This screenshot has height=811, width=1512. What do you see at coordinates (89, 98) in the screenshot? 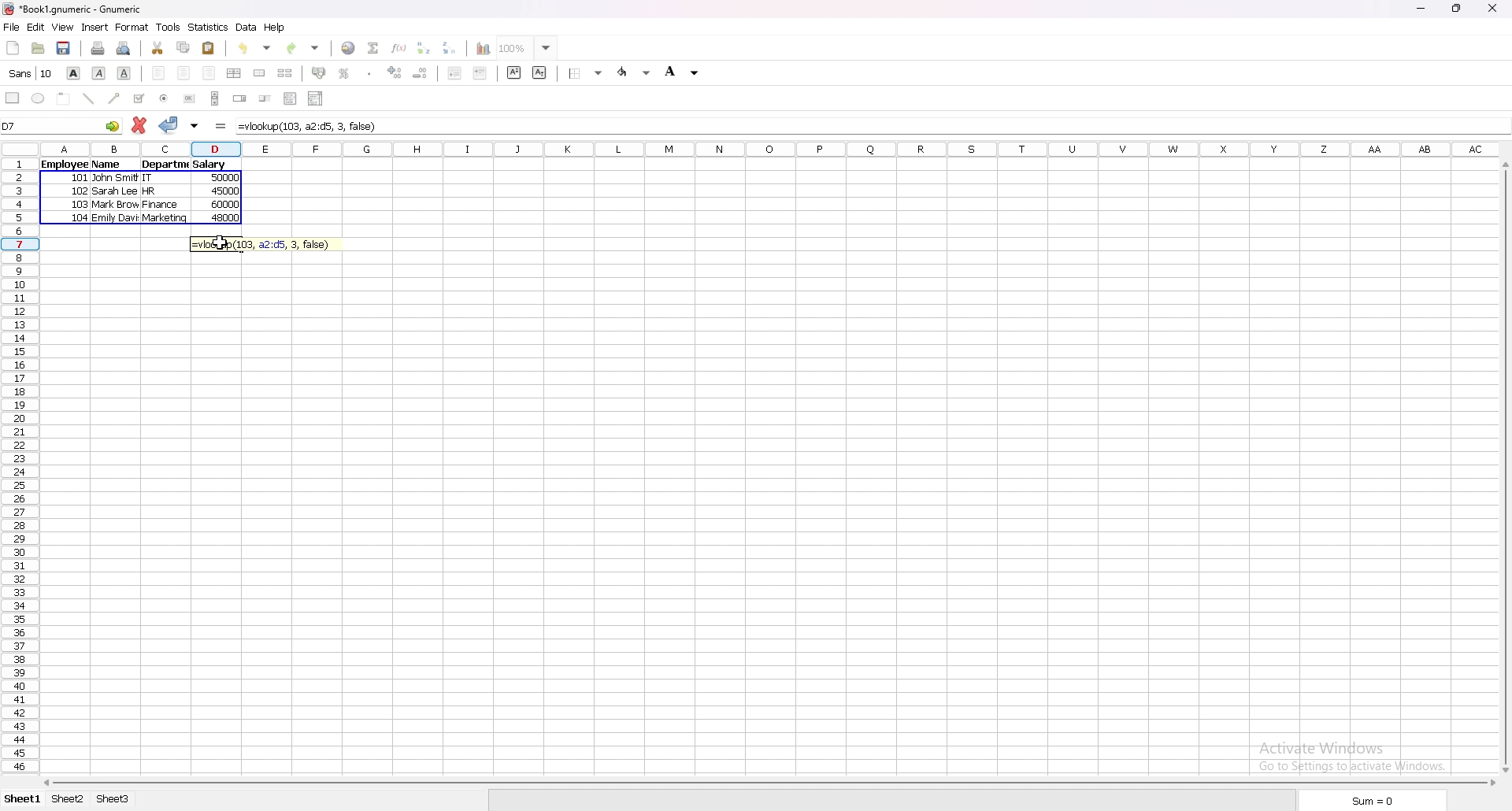
I see `line` at bounding box center [89, 98].